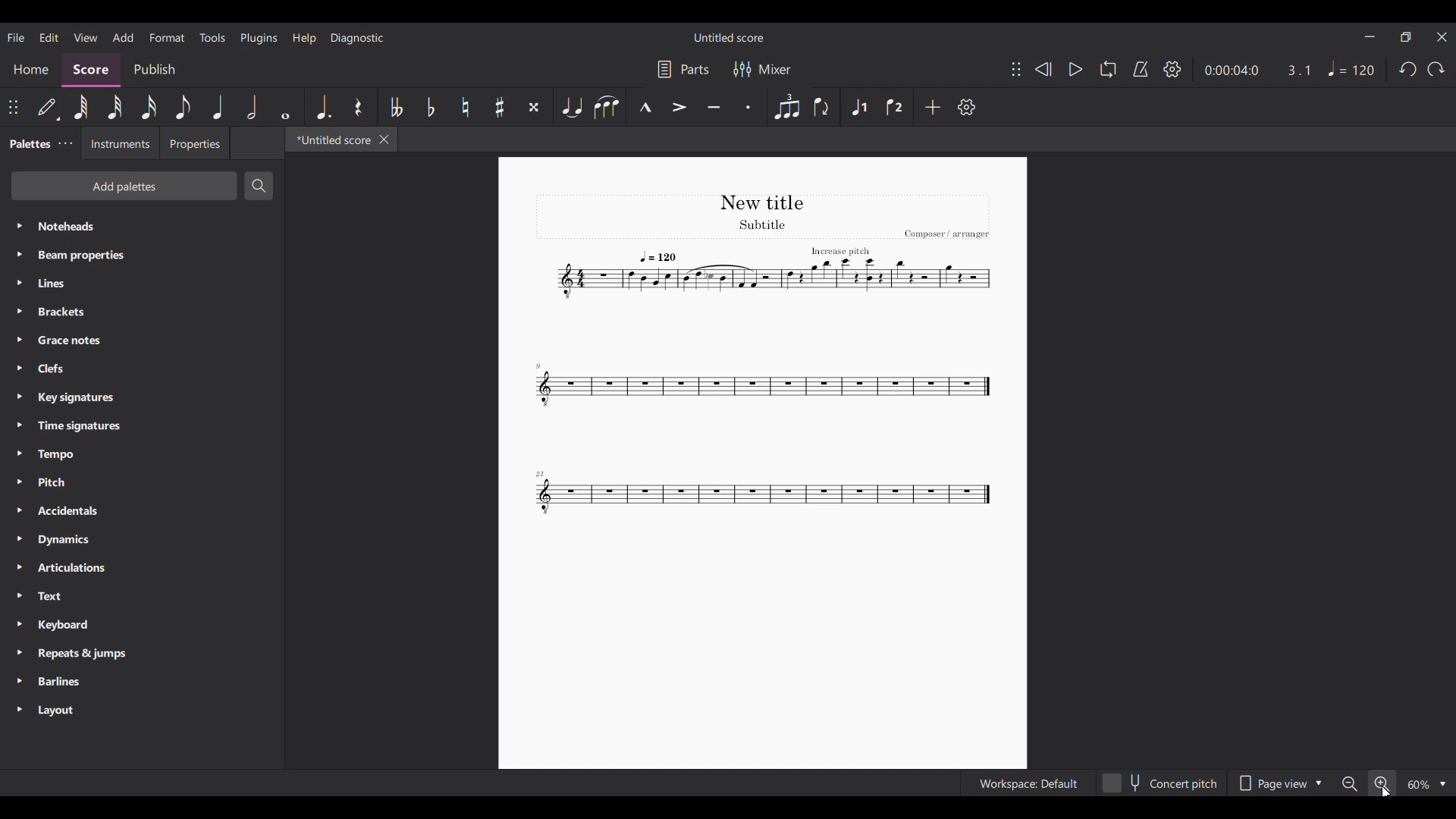 The height and width of the screenshot is (819, 1456). Describe the element at coordinates (1028, 783) in the screenshot. I see `Workspace: Default` at that location.